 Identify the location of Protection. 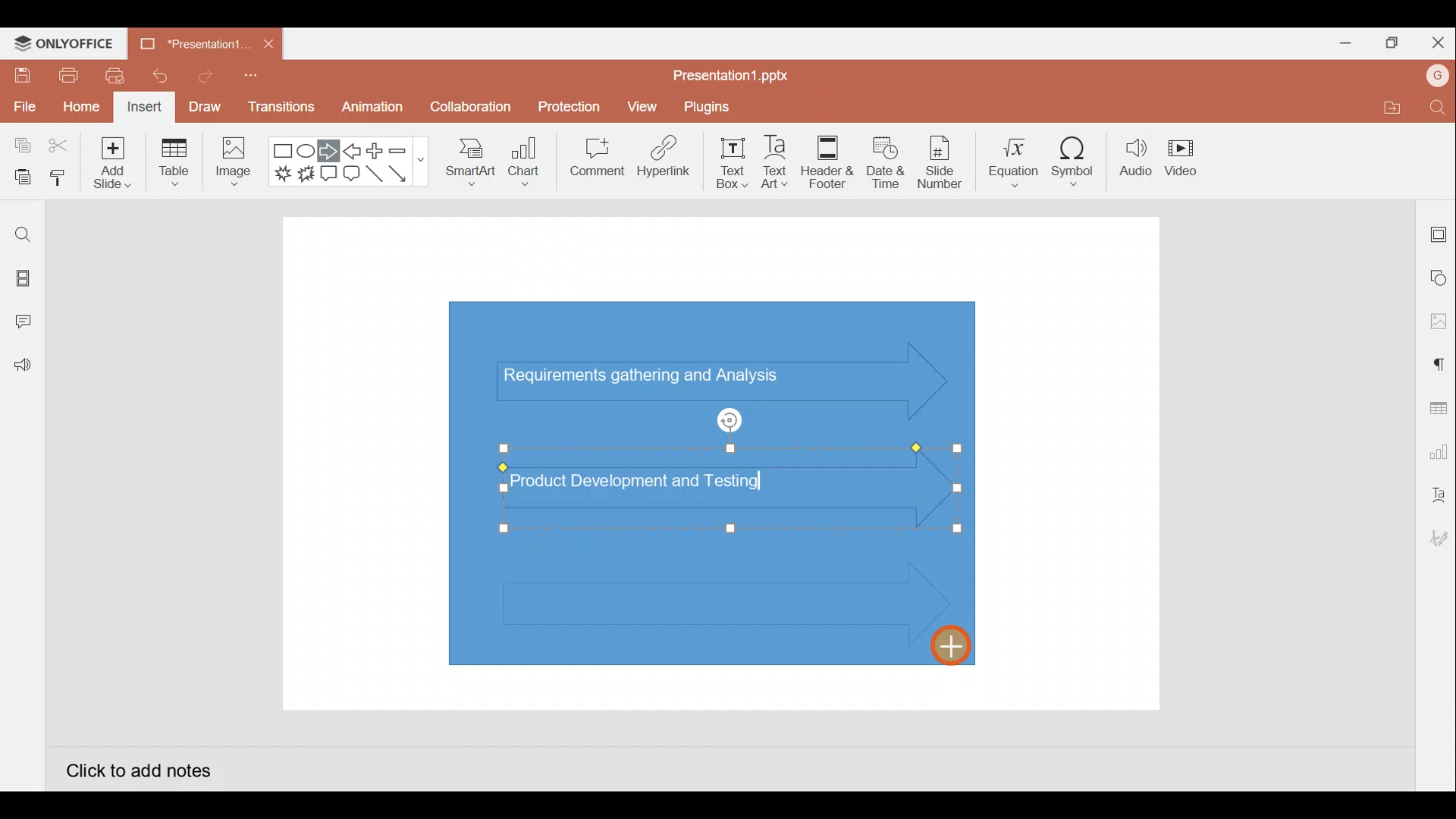
(565, 107).